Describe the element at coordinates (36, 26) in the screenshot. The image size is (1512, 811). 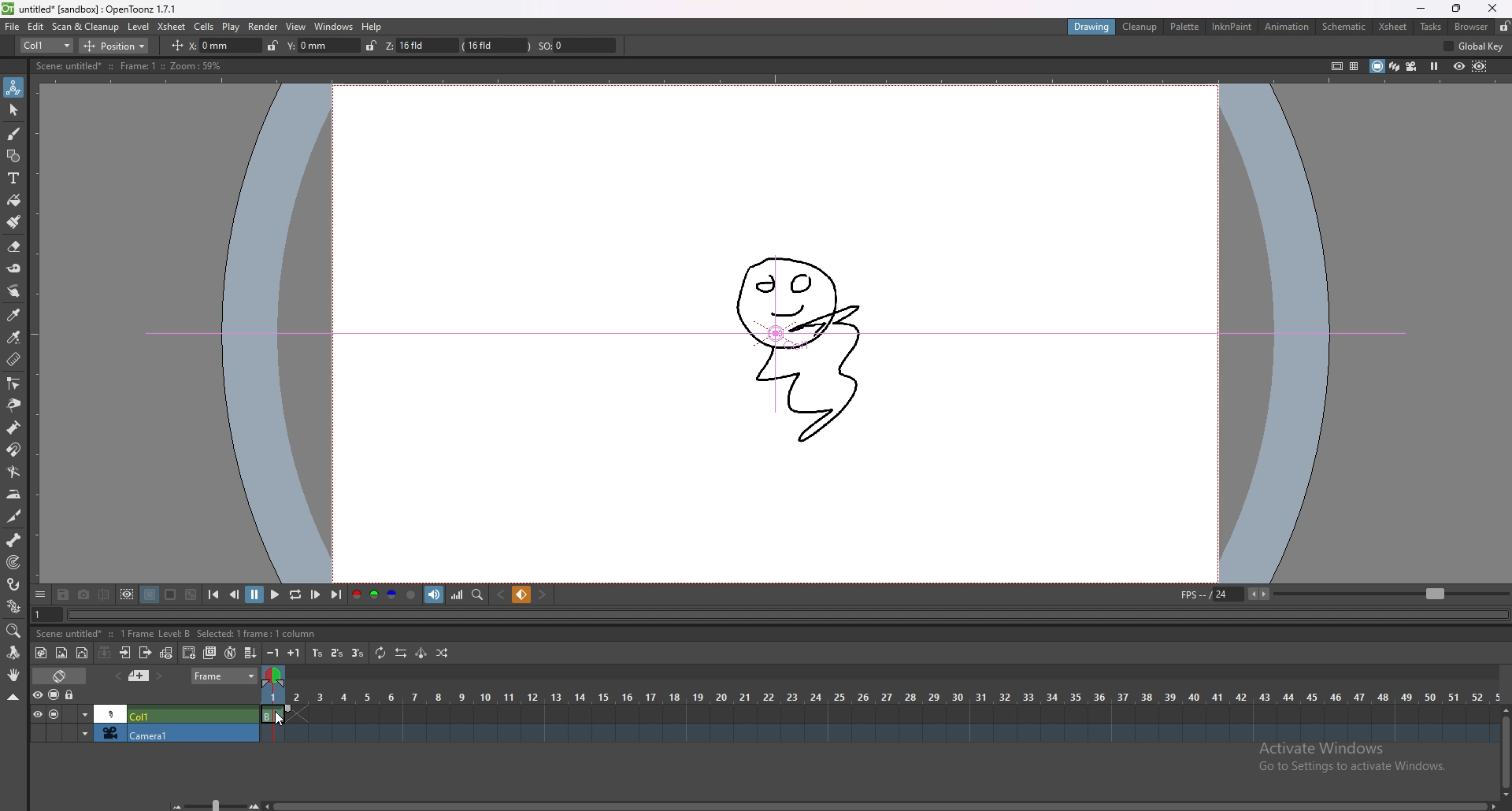
I see `edit` at that location.